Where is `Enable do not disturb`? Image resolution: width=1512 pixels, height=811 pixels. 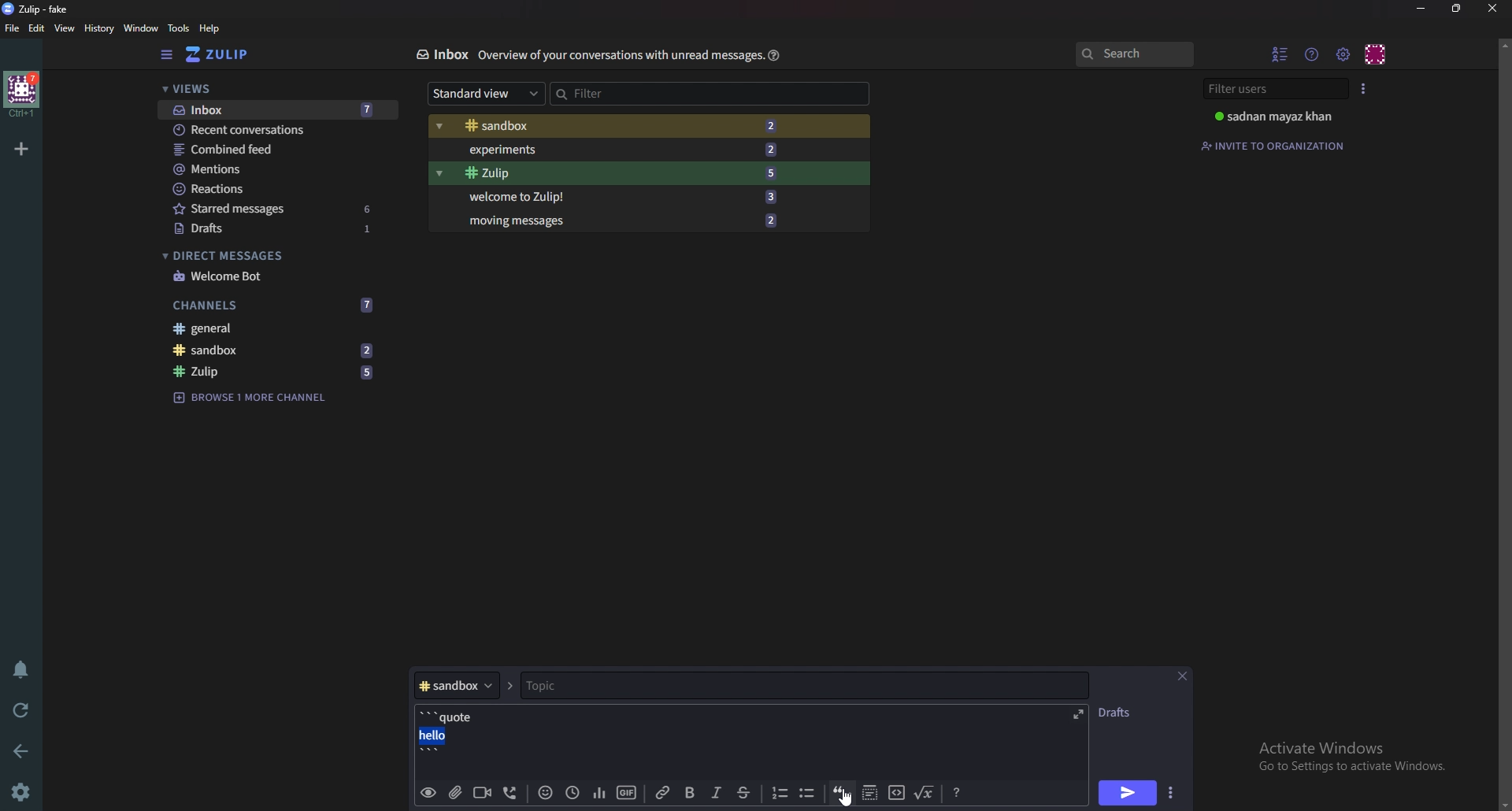
Enable do not disturb is located at coordinates (19, 670).